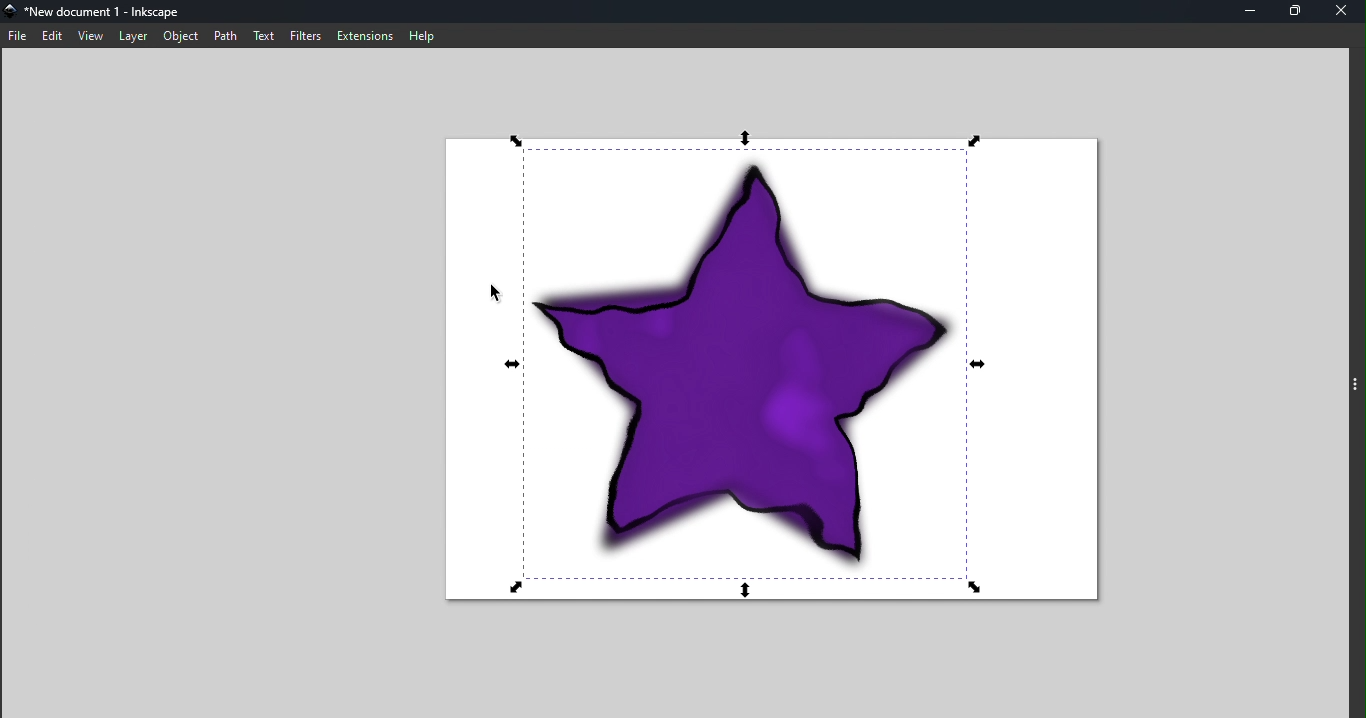 The height and width of the screenshot is (718, 1366). What do you see at coordinates (422, 35) in the screenshot?
I see `Help` at bounding box center [422, 35].